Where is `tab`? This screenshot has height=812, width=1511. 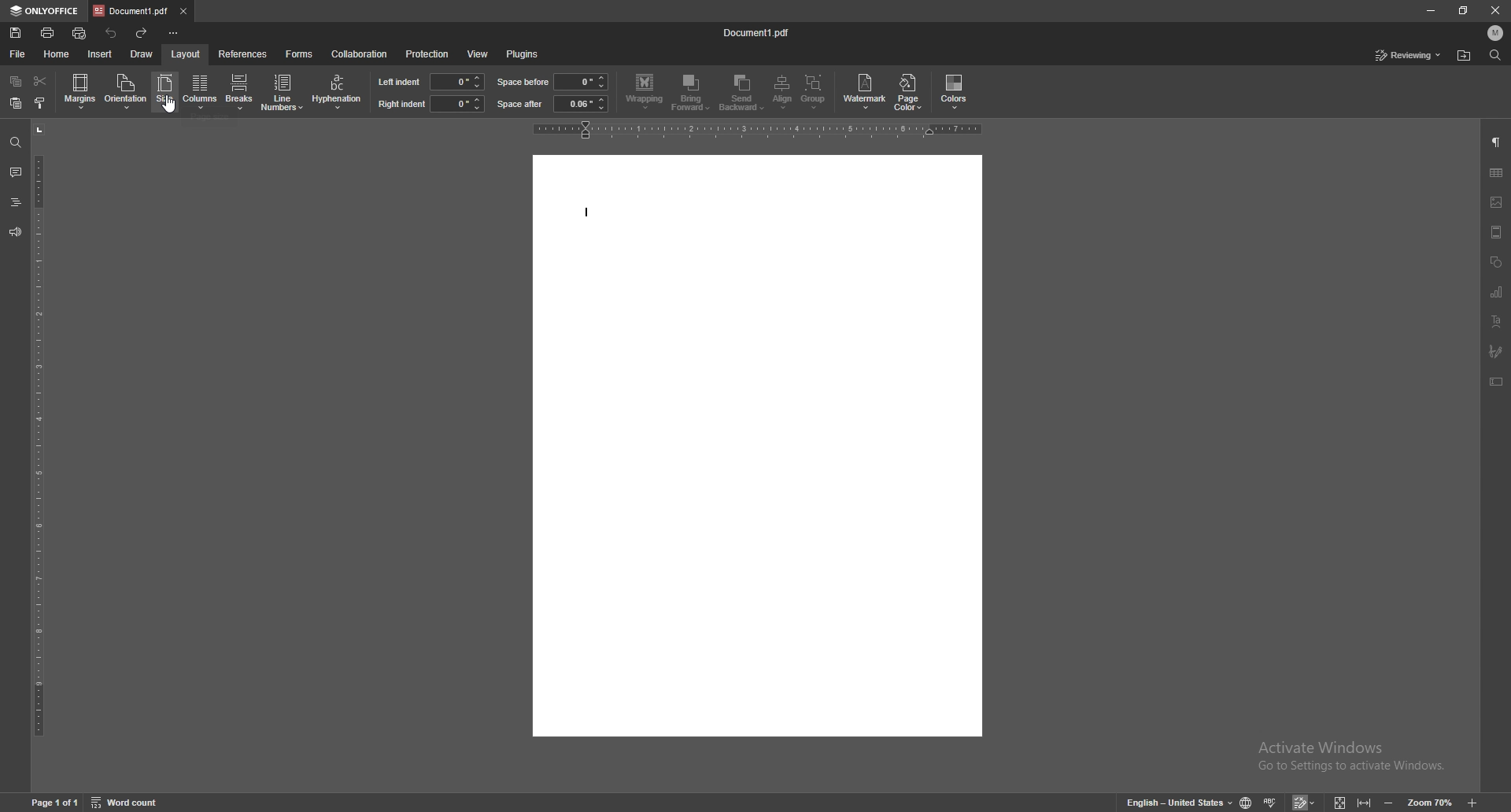 tab is located at coordinates (131, 9).